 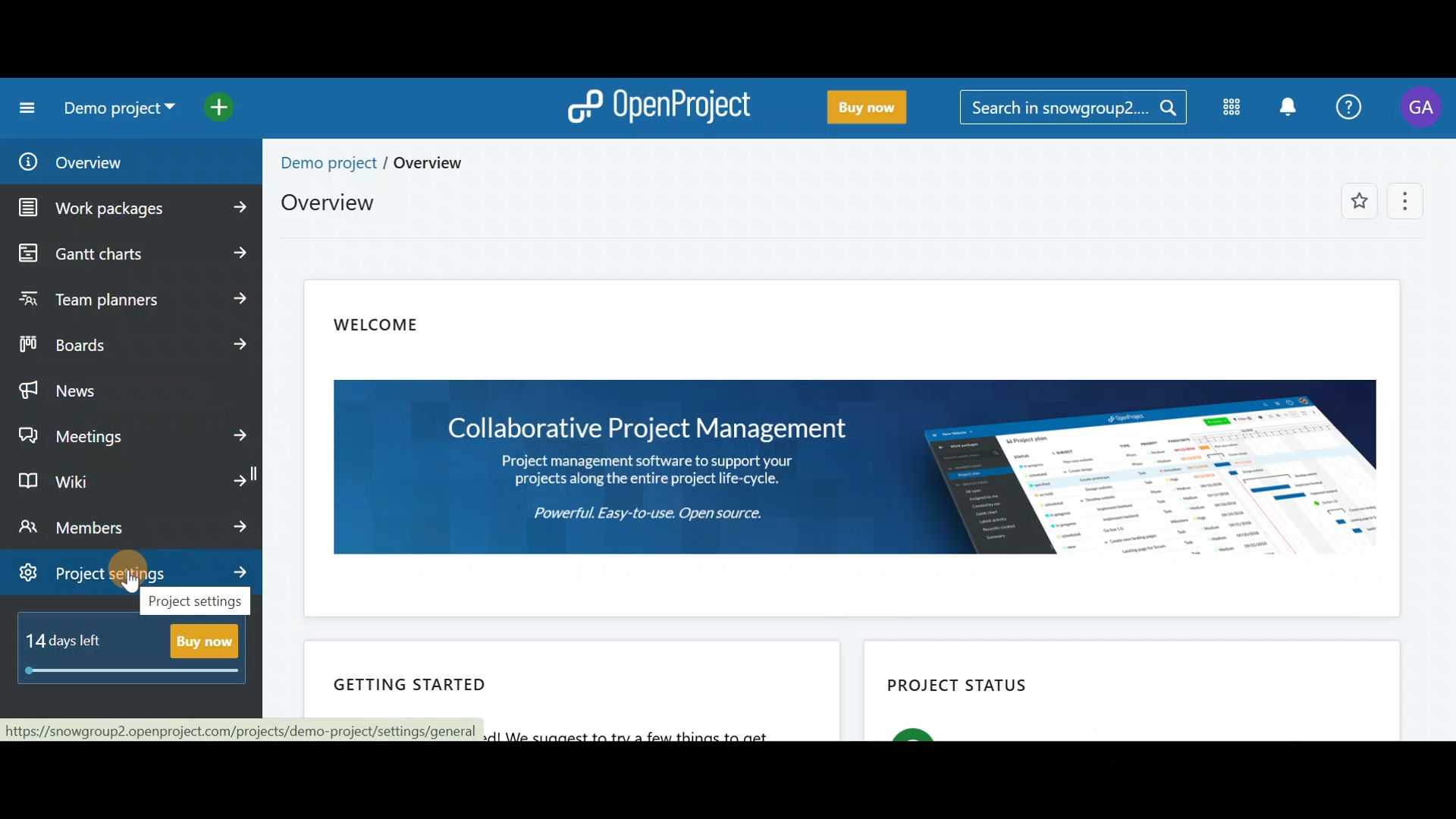 What do you see at coordinates (870, 110) in the screenshot?
I see `Buy now` at bounding box center [870, 110].